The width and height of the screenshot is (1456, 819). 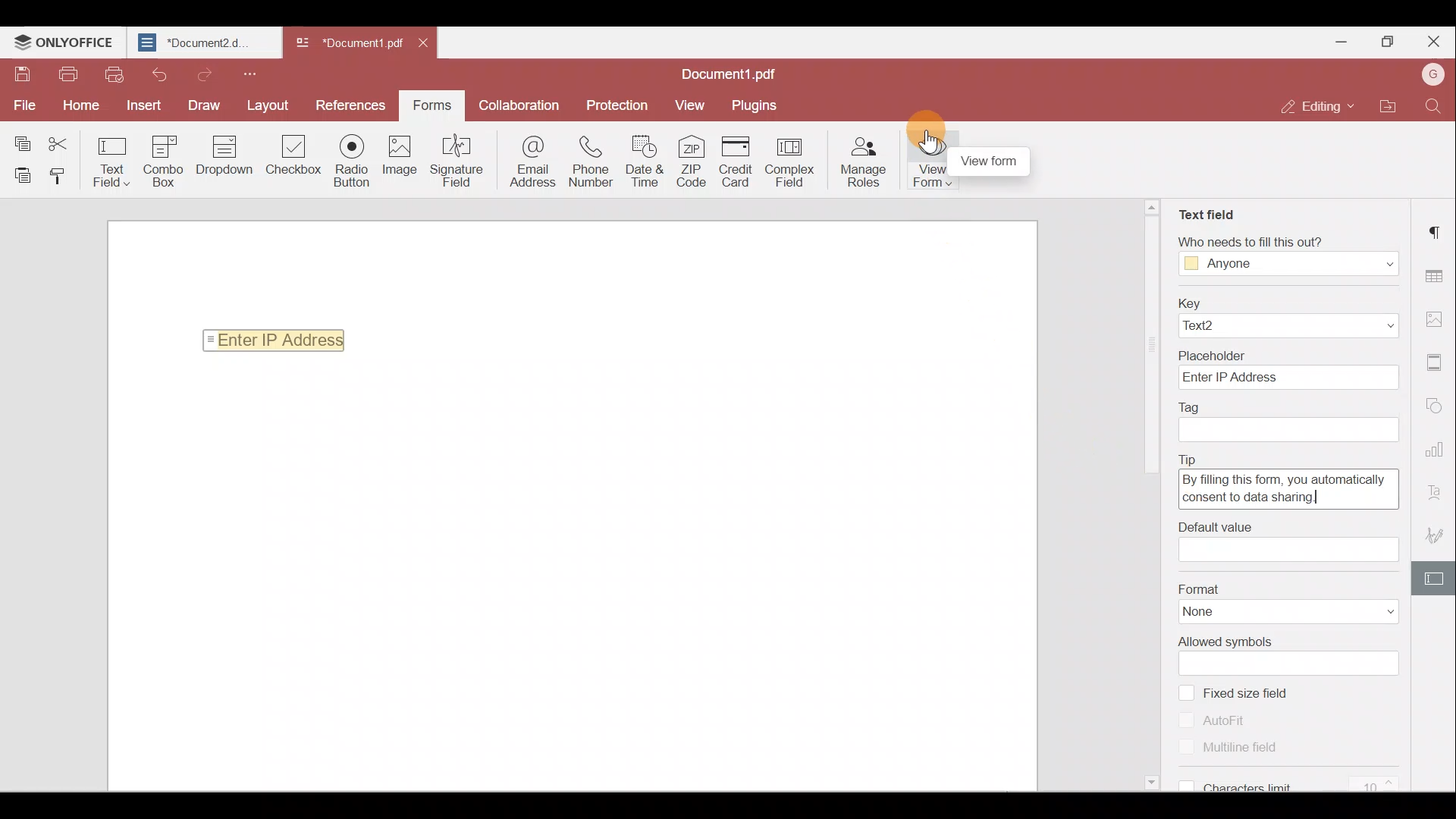 I want to click on Draw, so click(x=199, y=105).